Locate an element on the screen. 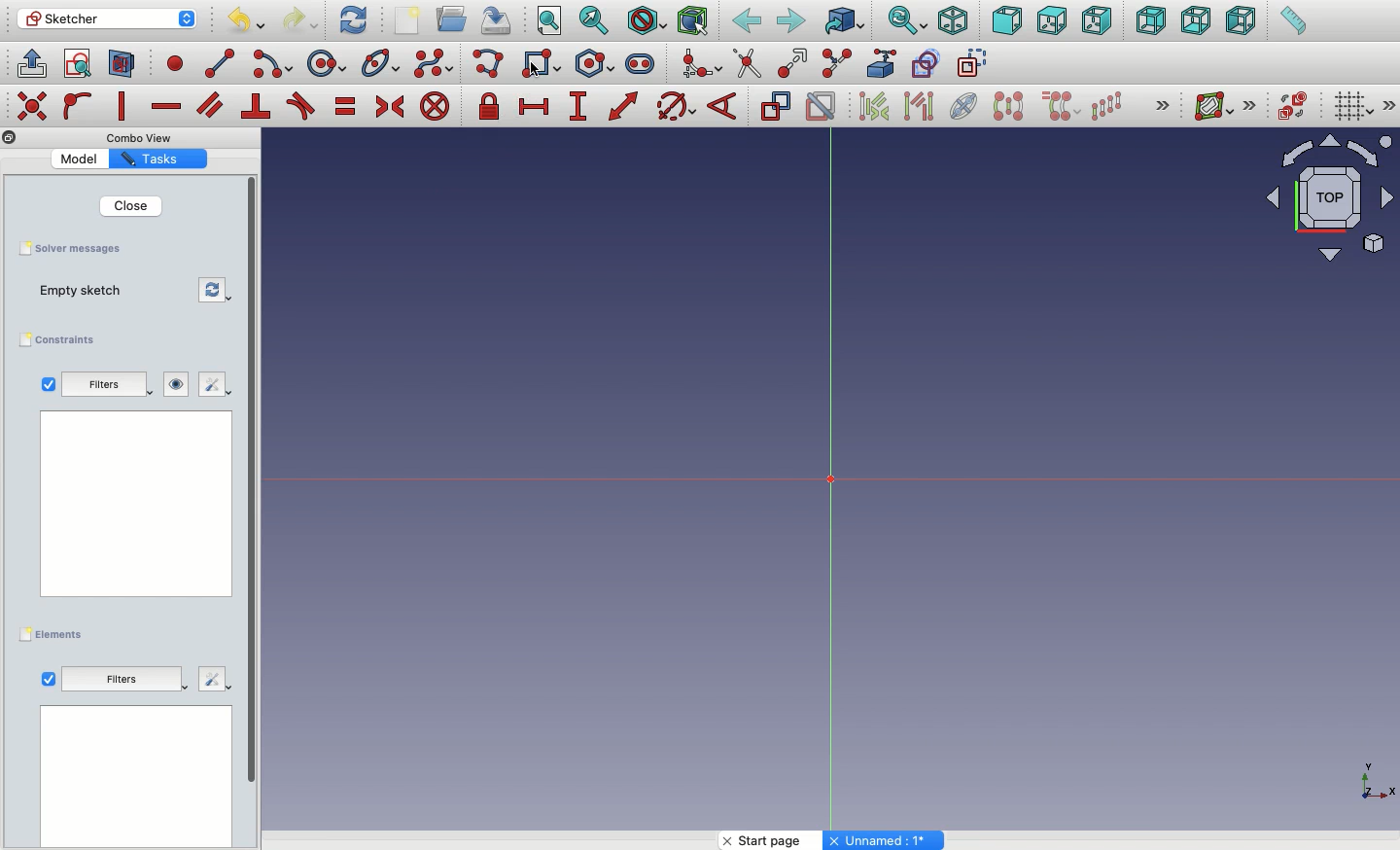  constrain coincident is located at coordinates (34, 106).